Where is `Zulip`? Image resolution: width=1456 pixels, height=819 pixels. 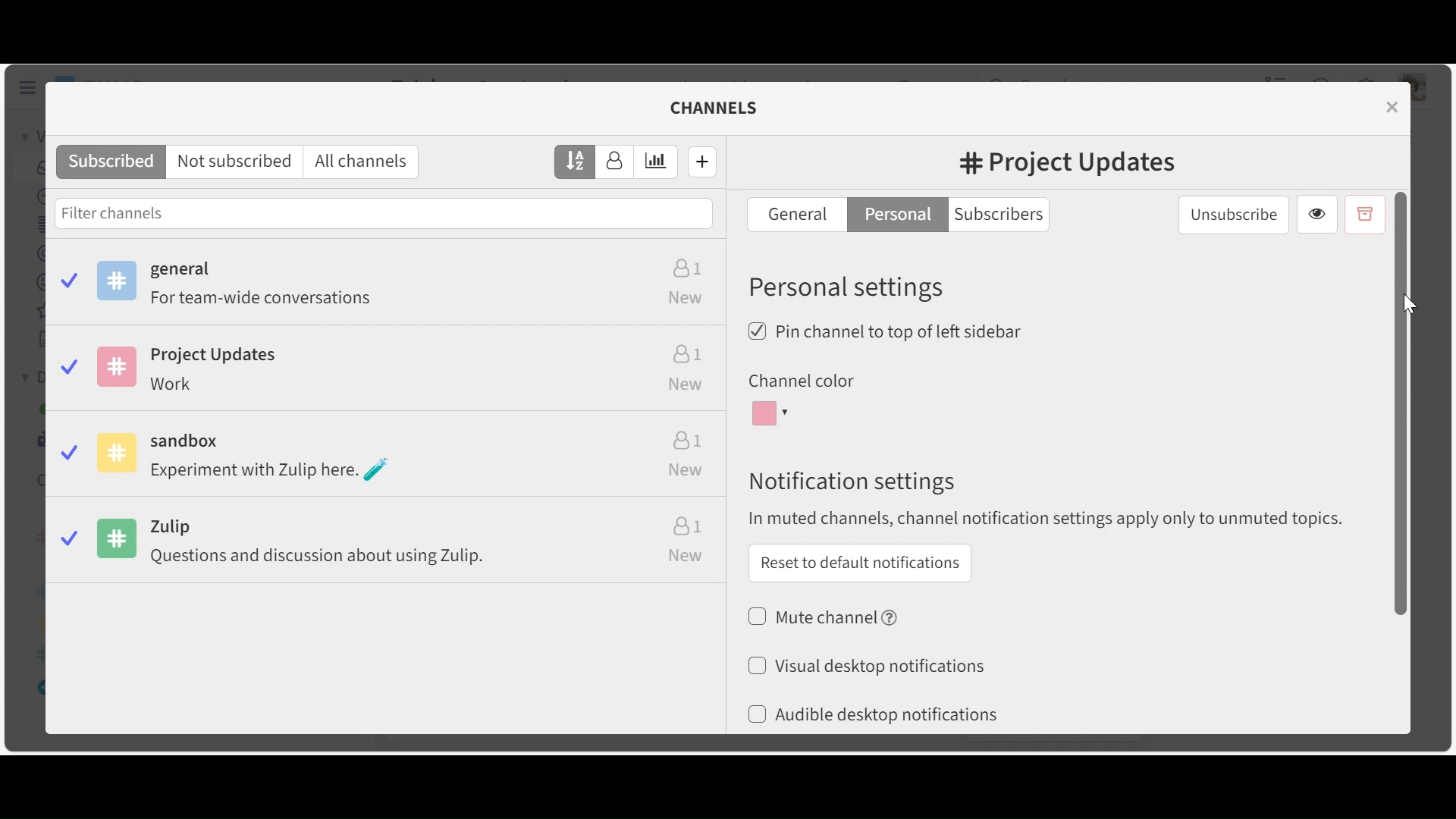
Zulip is located at coordinates (388, 547).